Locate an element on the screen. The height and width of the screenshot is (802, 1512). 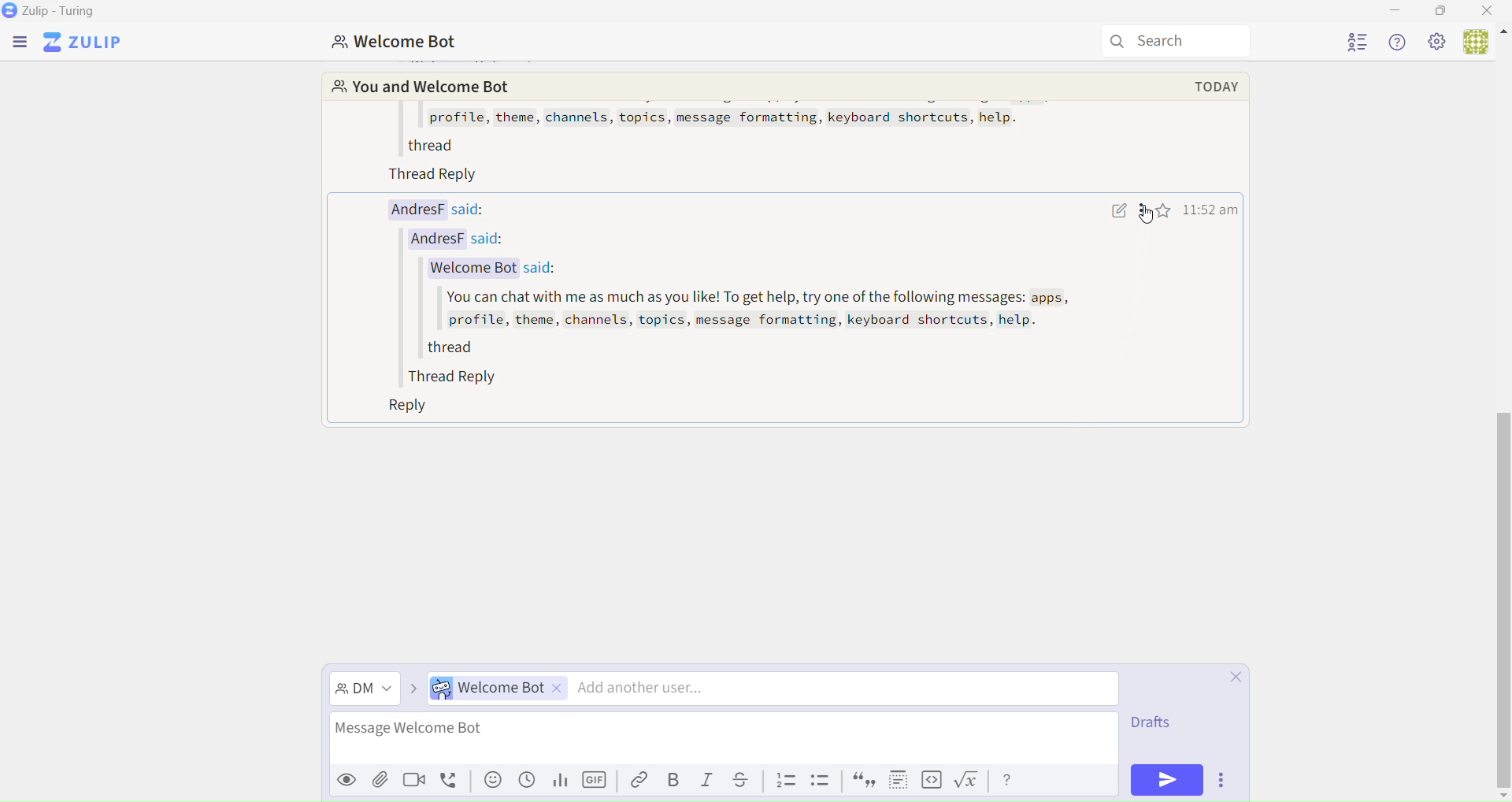
Direct Message is located at coordinates (365, 688).